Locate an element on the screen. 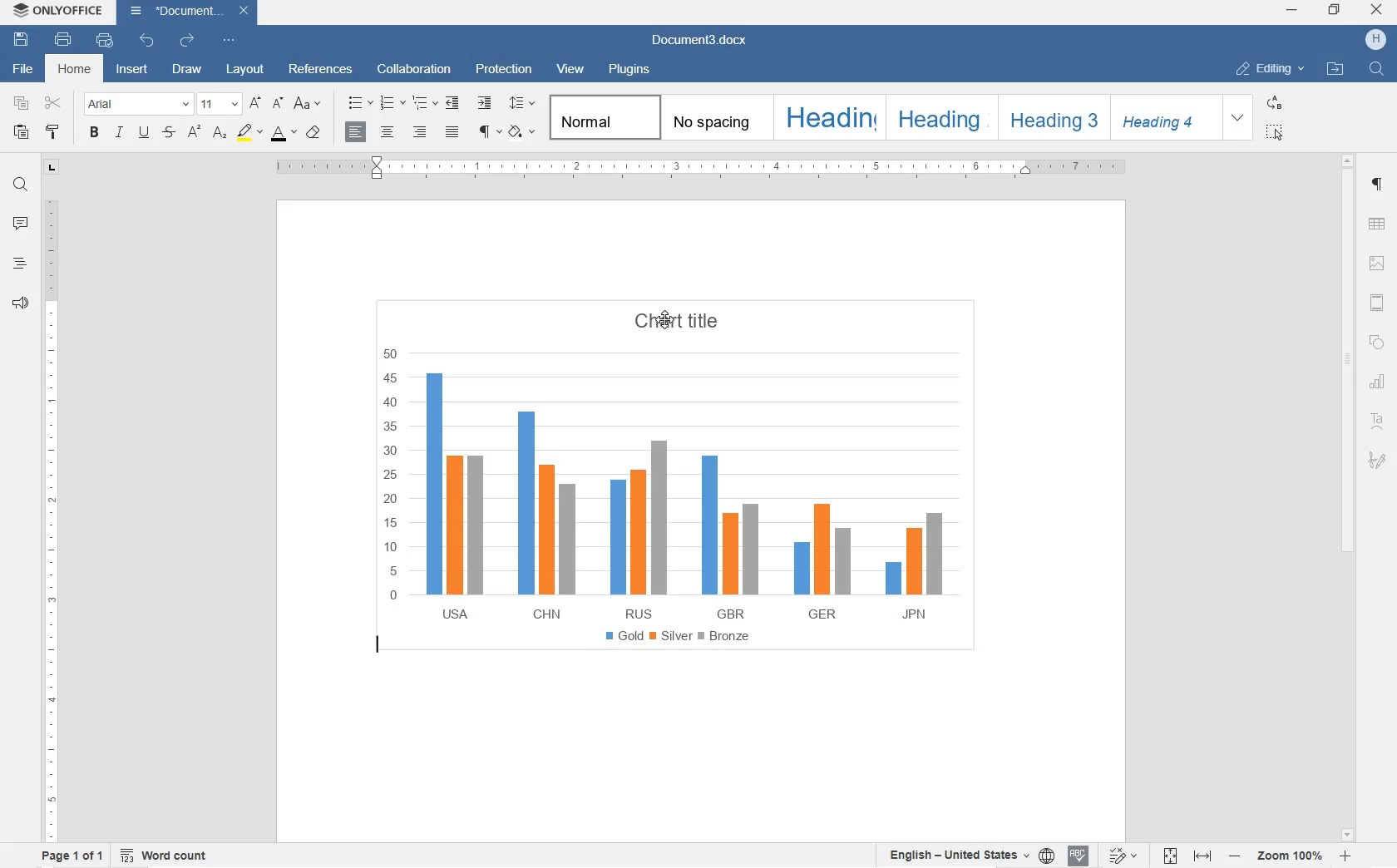  SAVE is located at coordinates (21, 42).